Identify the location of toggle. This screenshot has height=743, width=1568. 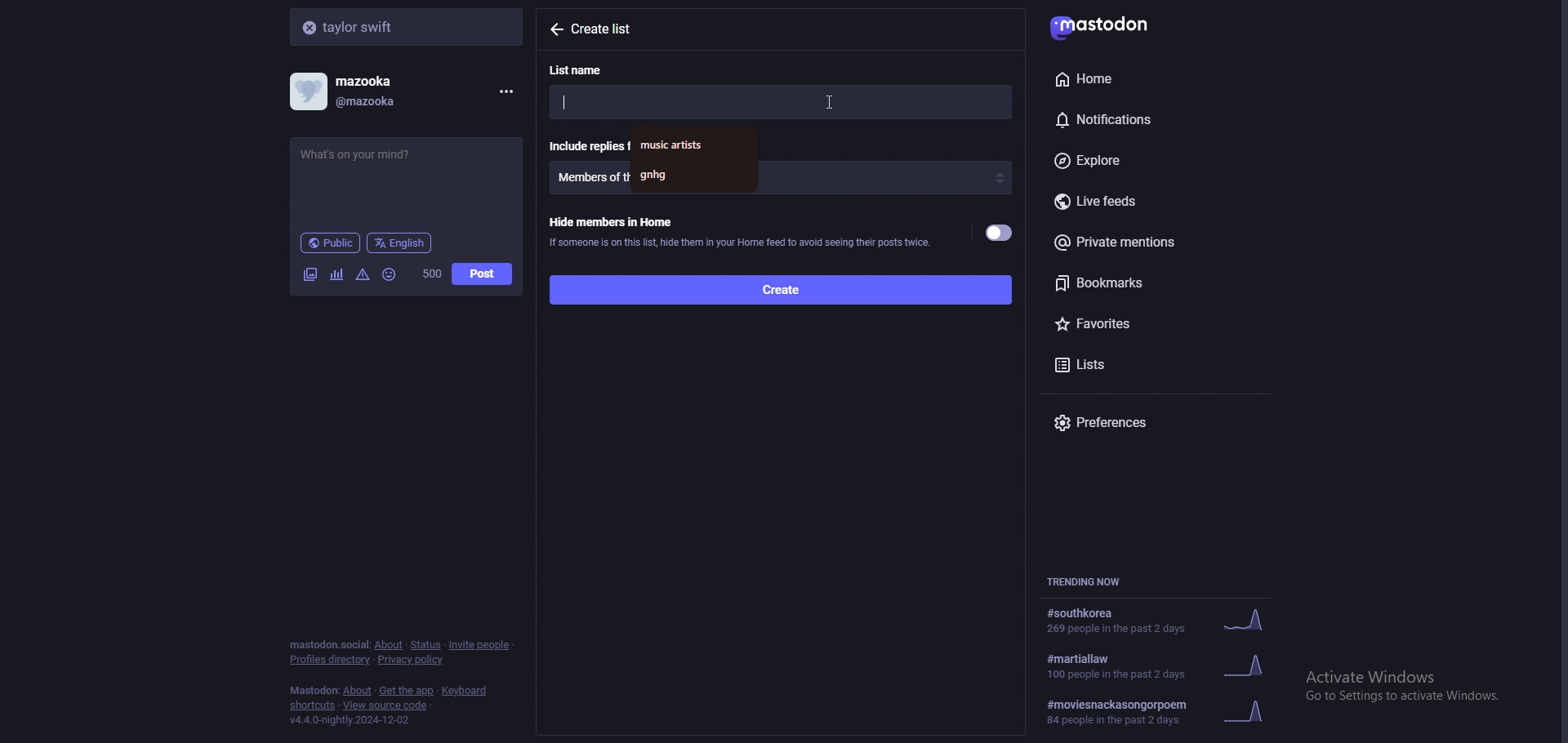
(1000, 234).